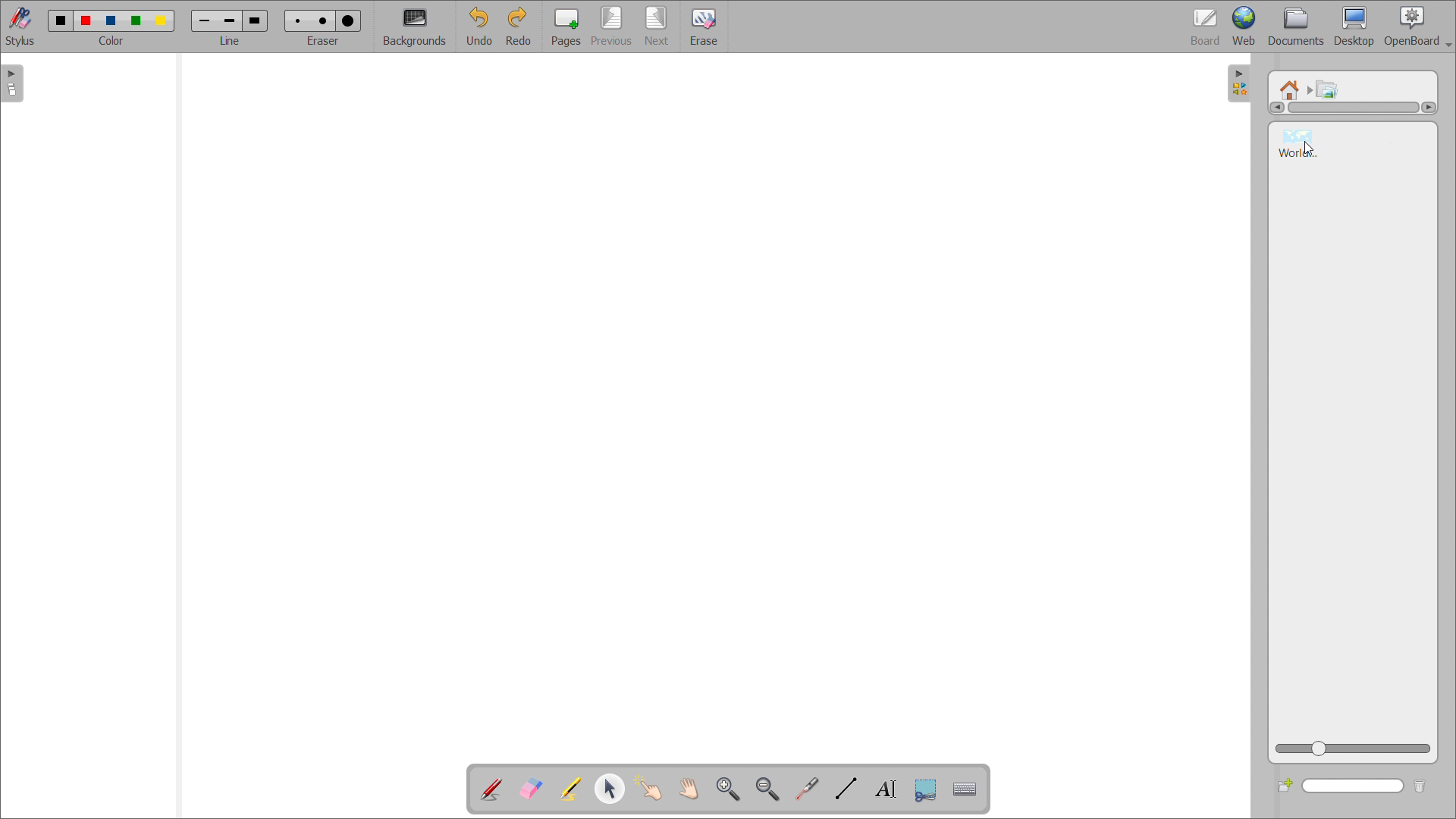 The image size is (1456, 819). Describe the element at coordinates (806, 788) in the screenshot. I see `virtual laser pointer` at that location.